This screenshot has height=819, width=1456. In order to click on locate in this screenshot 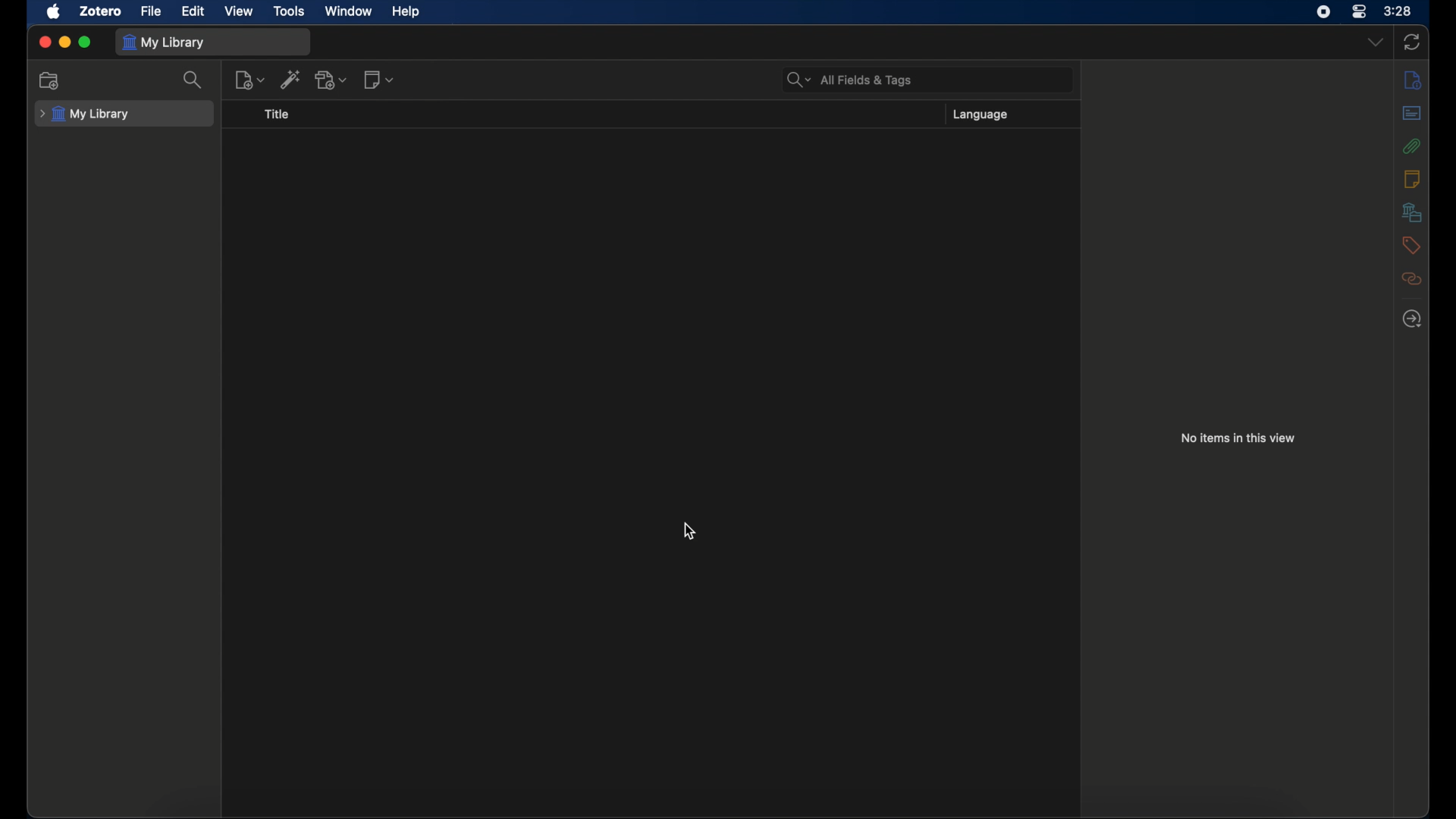, I will do `click(1411, 318)`.